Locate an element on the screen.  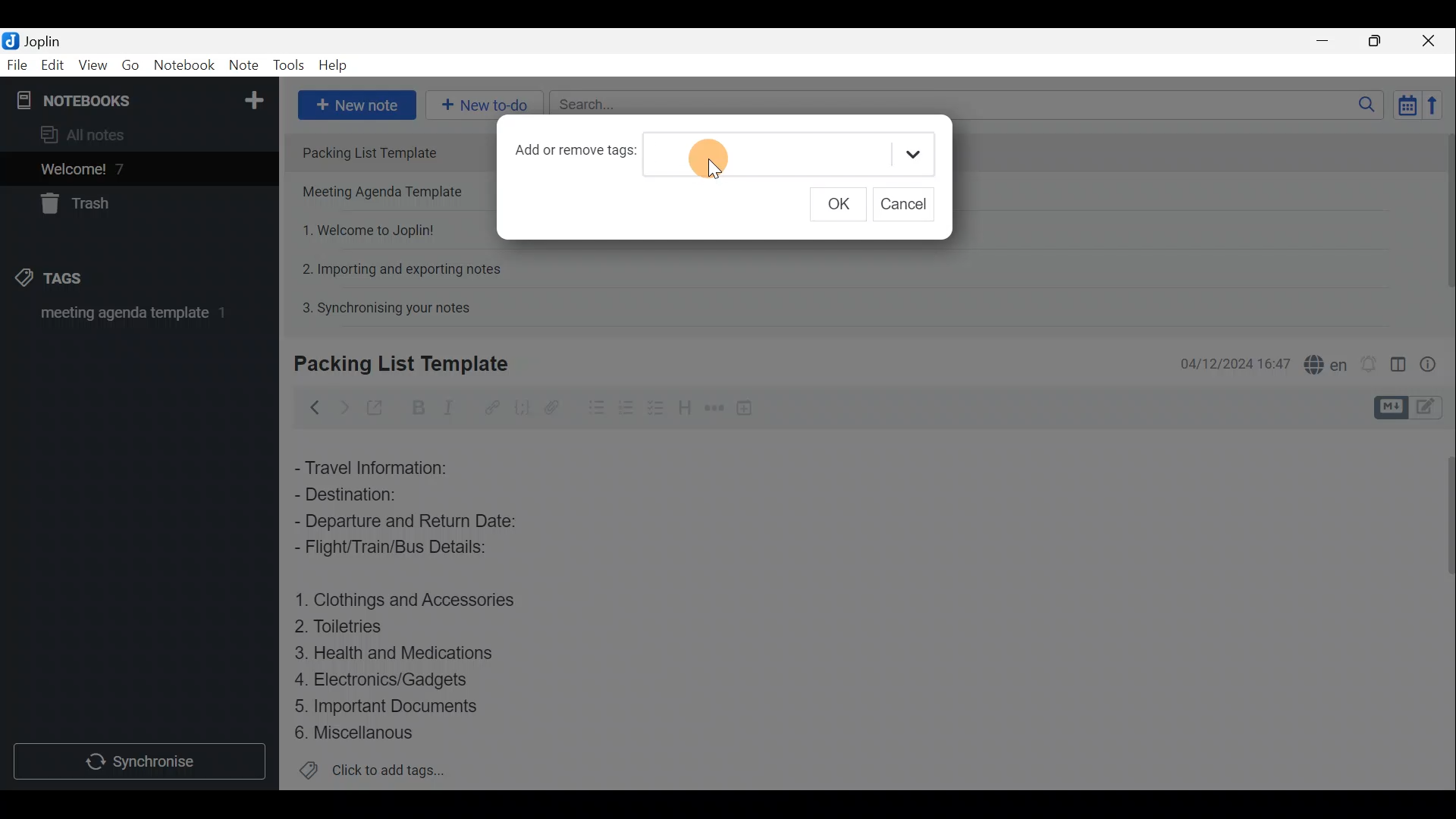
Toggle editor layout is located at coordinates (1398, 359).